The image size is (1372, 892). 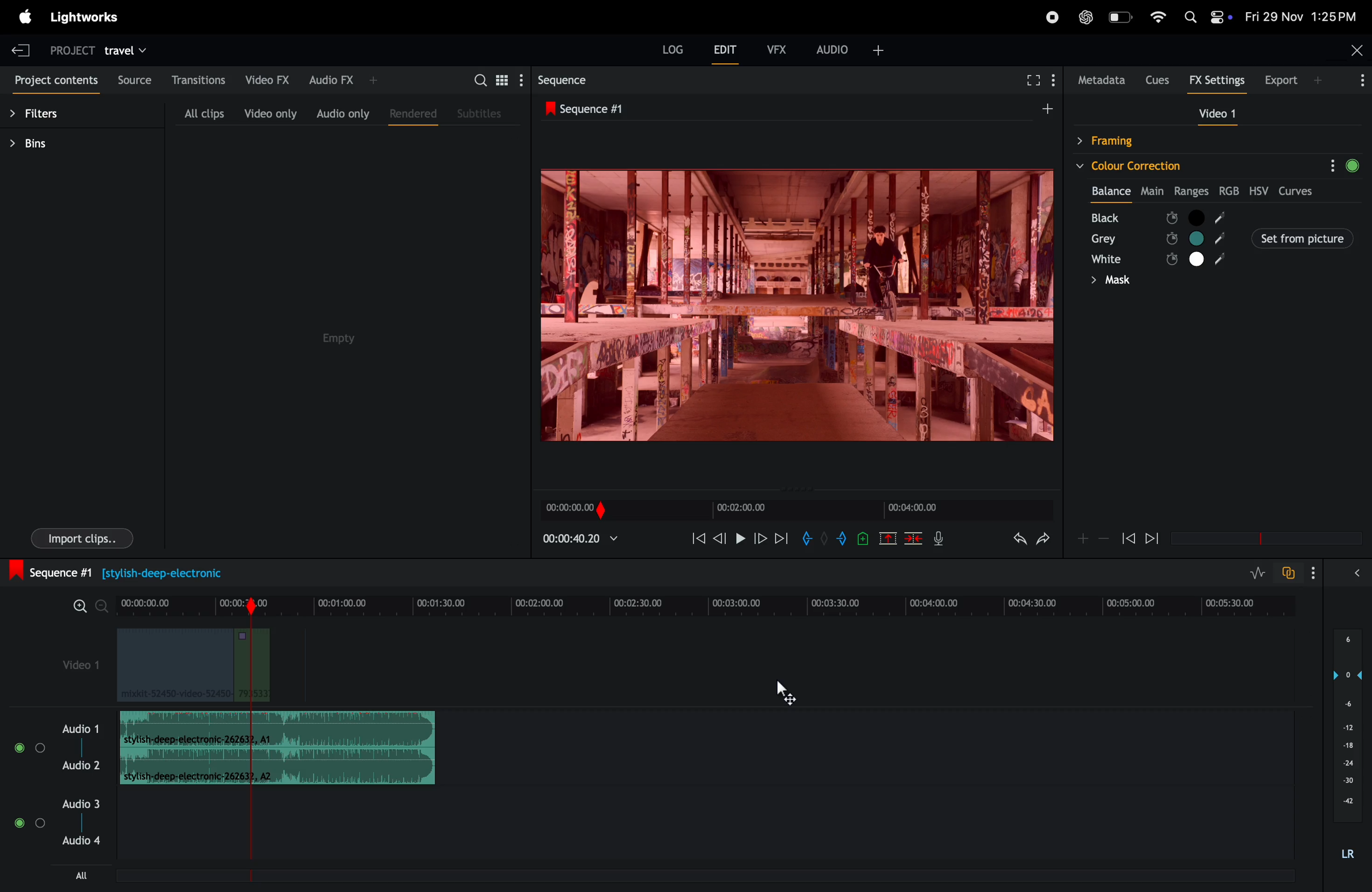 What do you see at coordinates (1051, 18) in the screenshot?
I see `recorder` at bounding box center [1051, 18].